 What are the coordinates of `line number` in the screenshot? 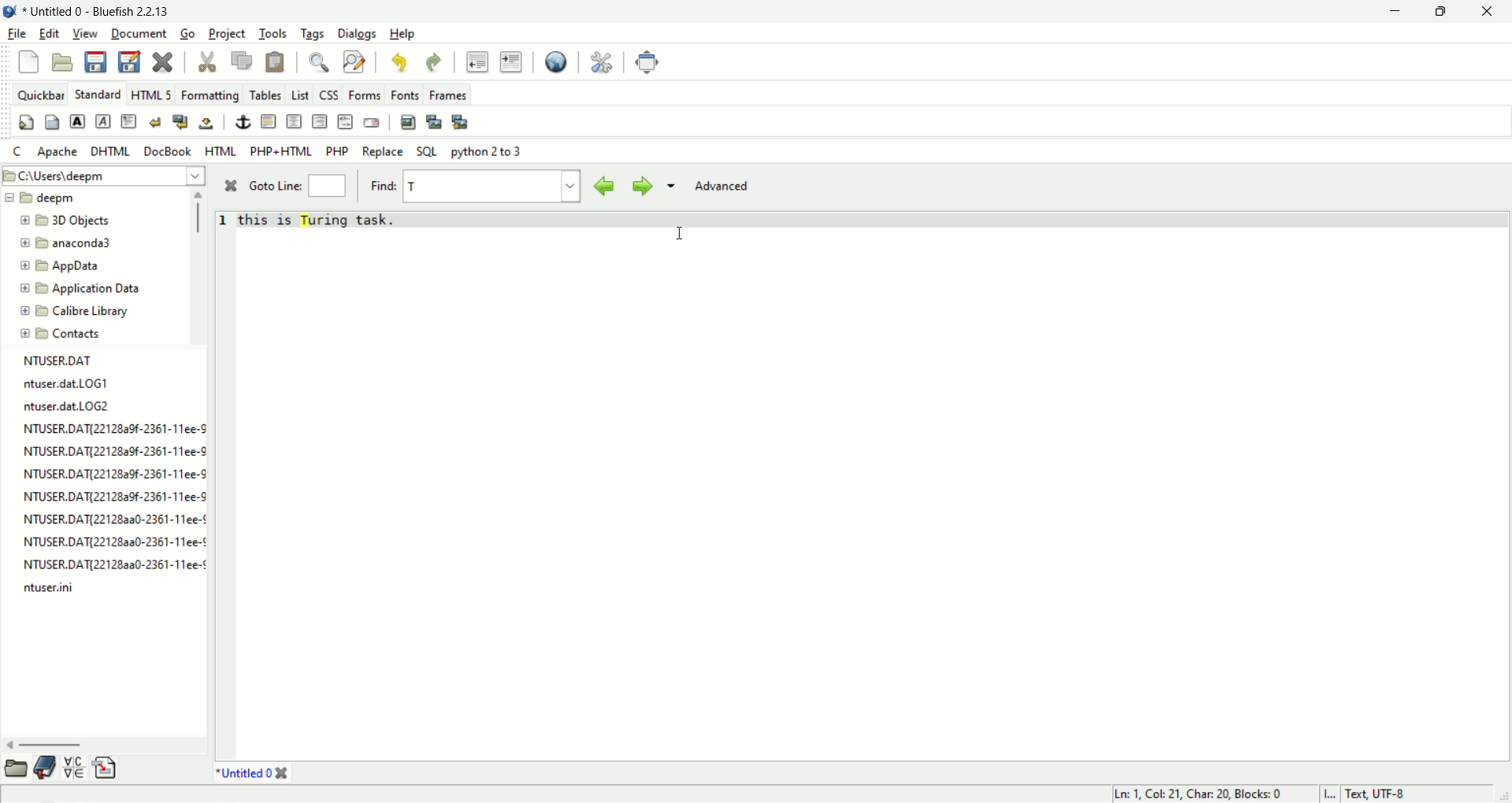 It's located at (225, 484).